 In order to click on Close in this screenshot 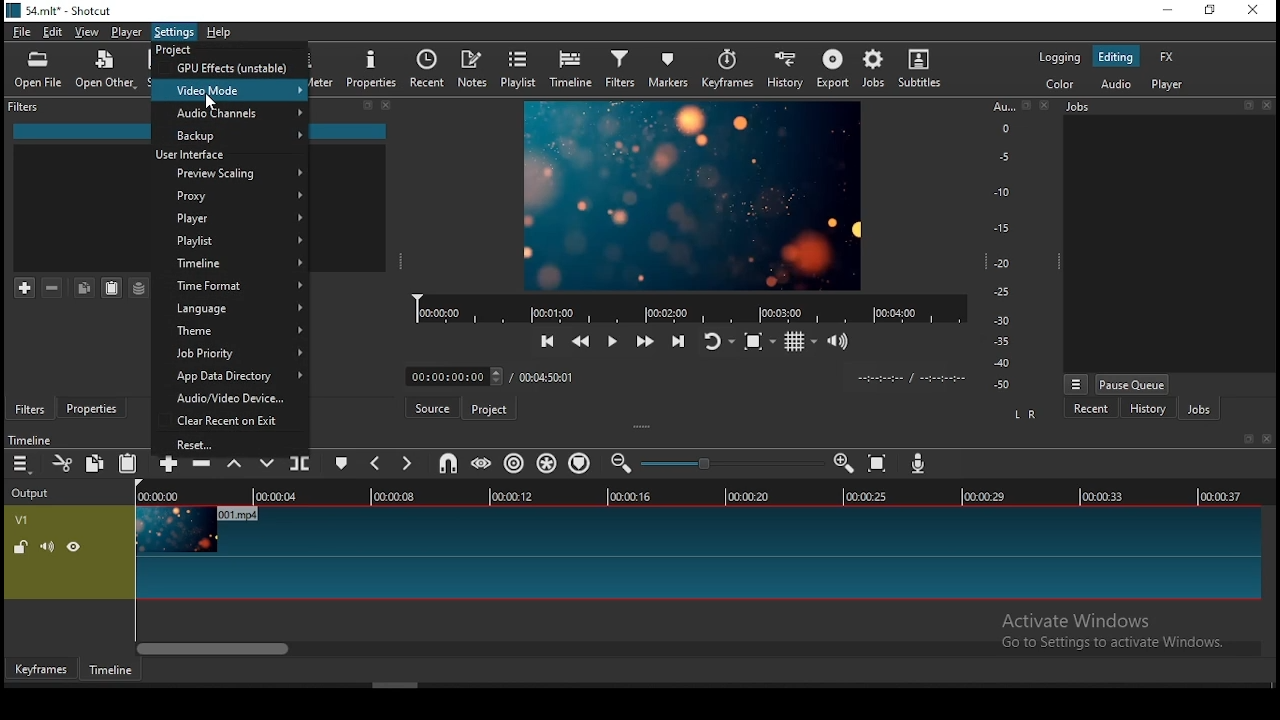, I will do `click(1267, 439)`.